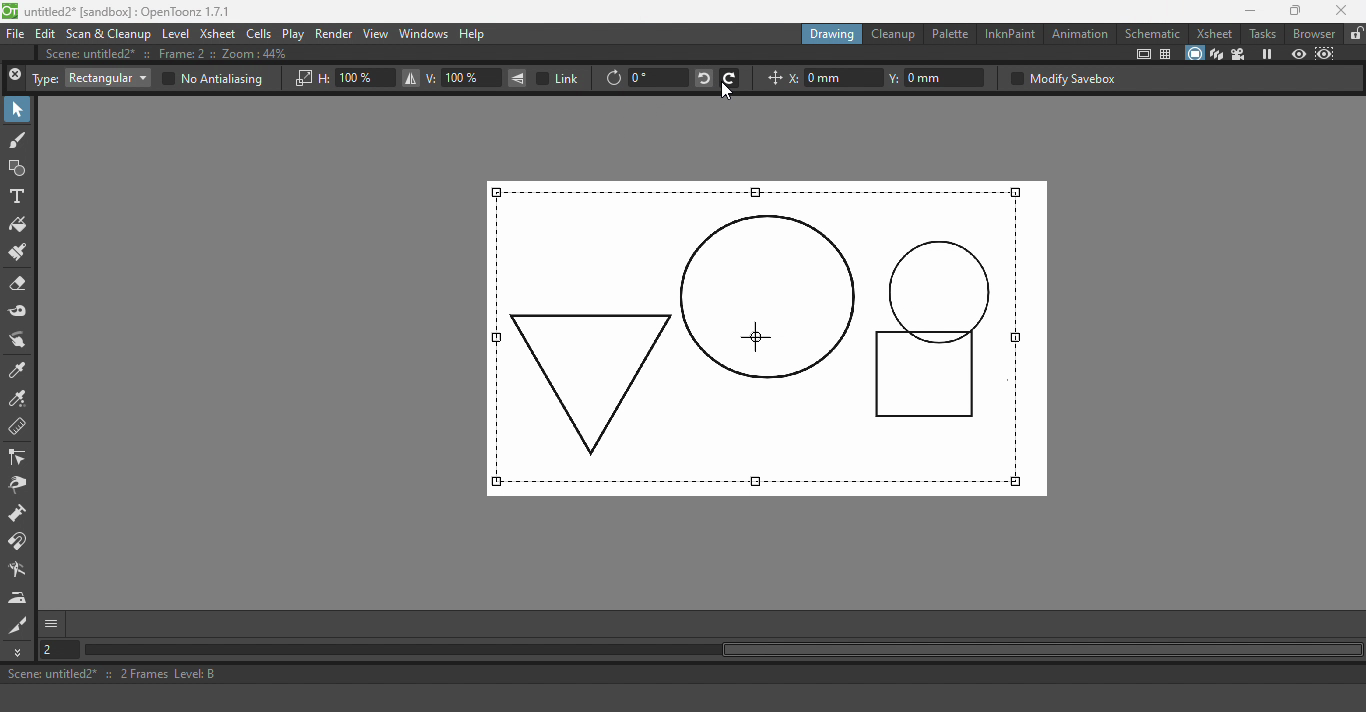 The width and height of the screenshot is (1366, 712). Describe the element at coordinates (1154, 32) in the screenshot. I see `Schematic` at that location.